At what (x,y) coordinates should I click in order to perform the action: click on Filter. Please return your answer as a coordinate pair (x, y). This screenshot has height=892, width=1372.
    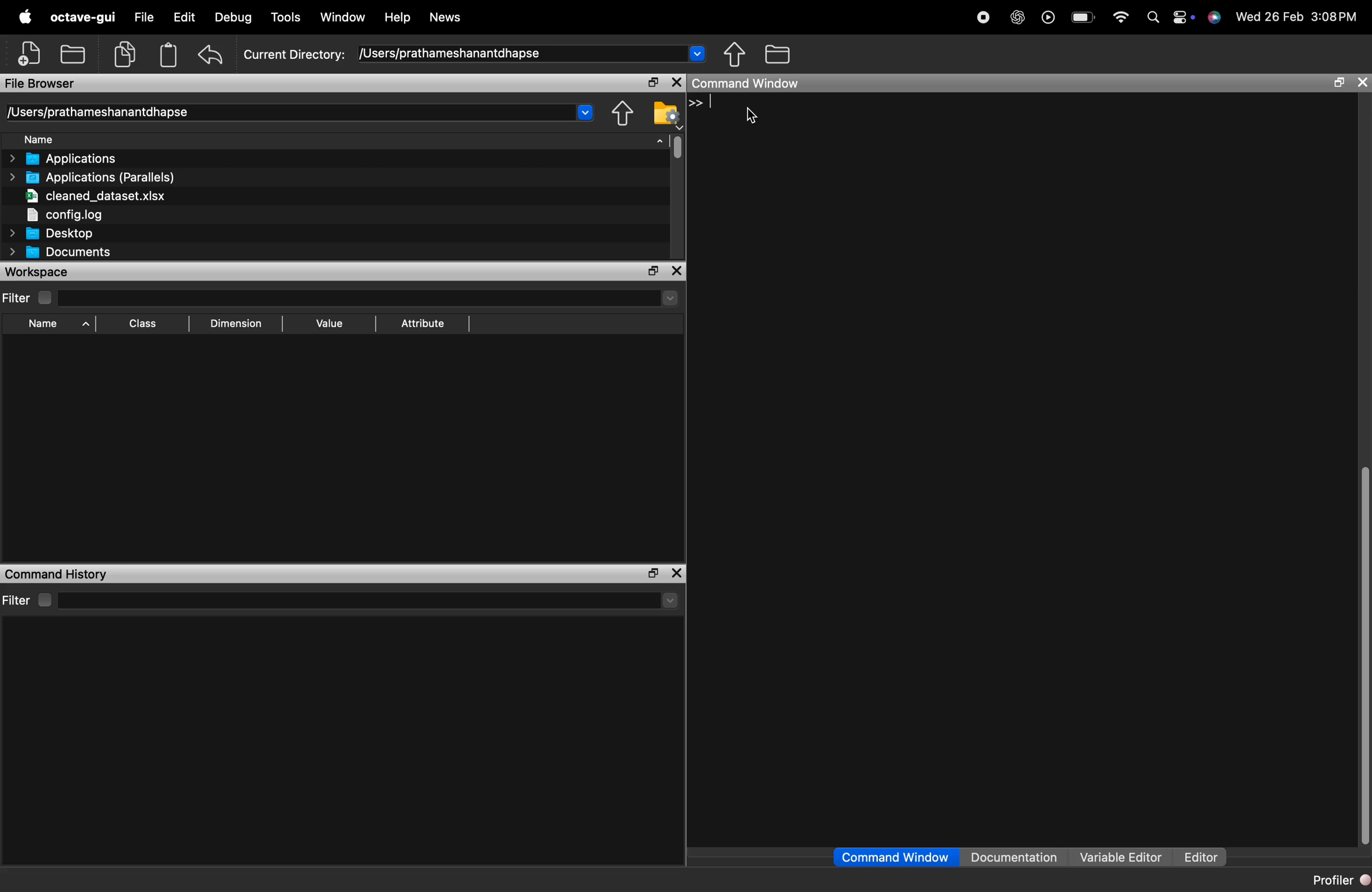
    Looking at the image, I should click on (28, 297).